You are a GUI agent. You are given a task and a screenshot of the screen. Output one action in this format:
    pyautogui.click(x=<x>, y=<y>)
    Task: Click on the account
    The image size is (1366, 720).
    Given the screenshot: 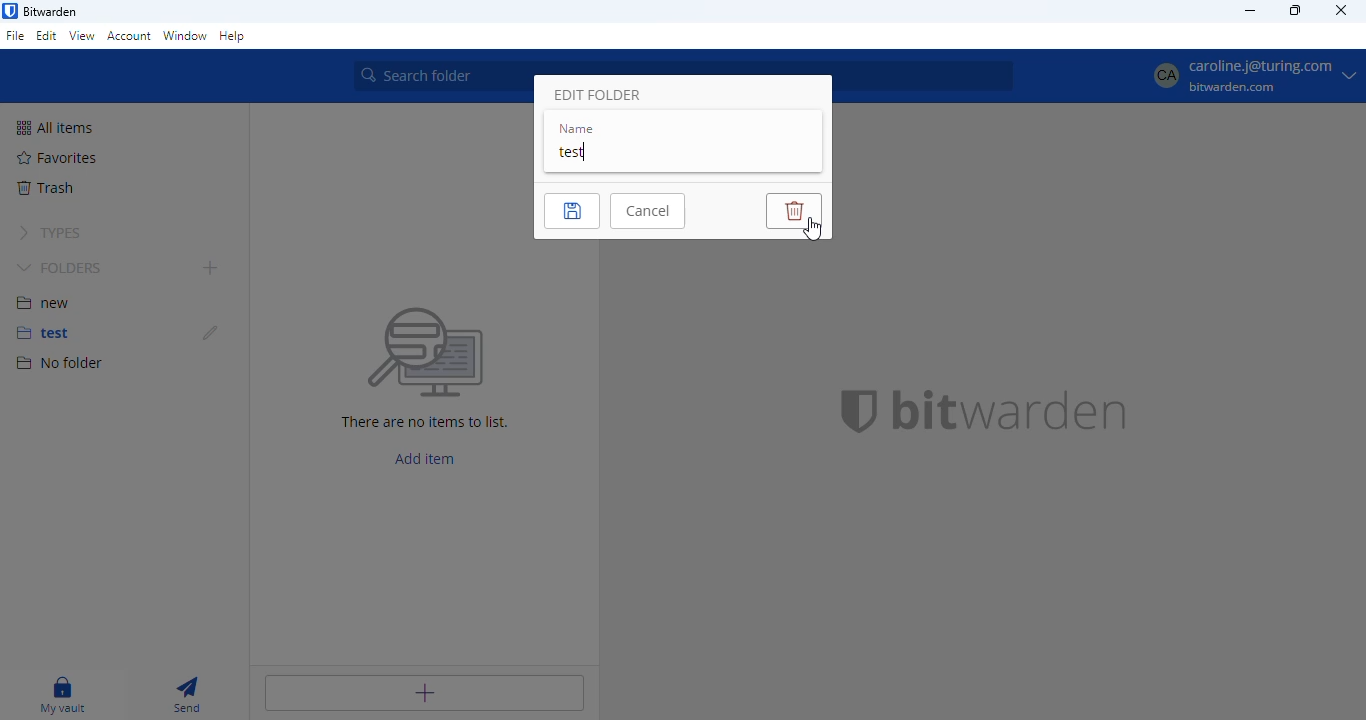 What is the action you would take?
    pyautogui.click(x=129, y=37)
    